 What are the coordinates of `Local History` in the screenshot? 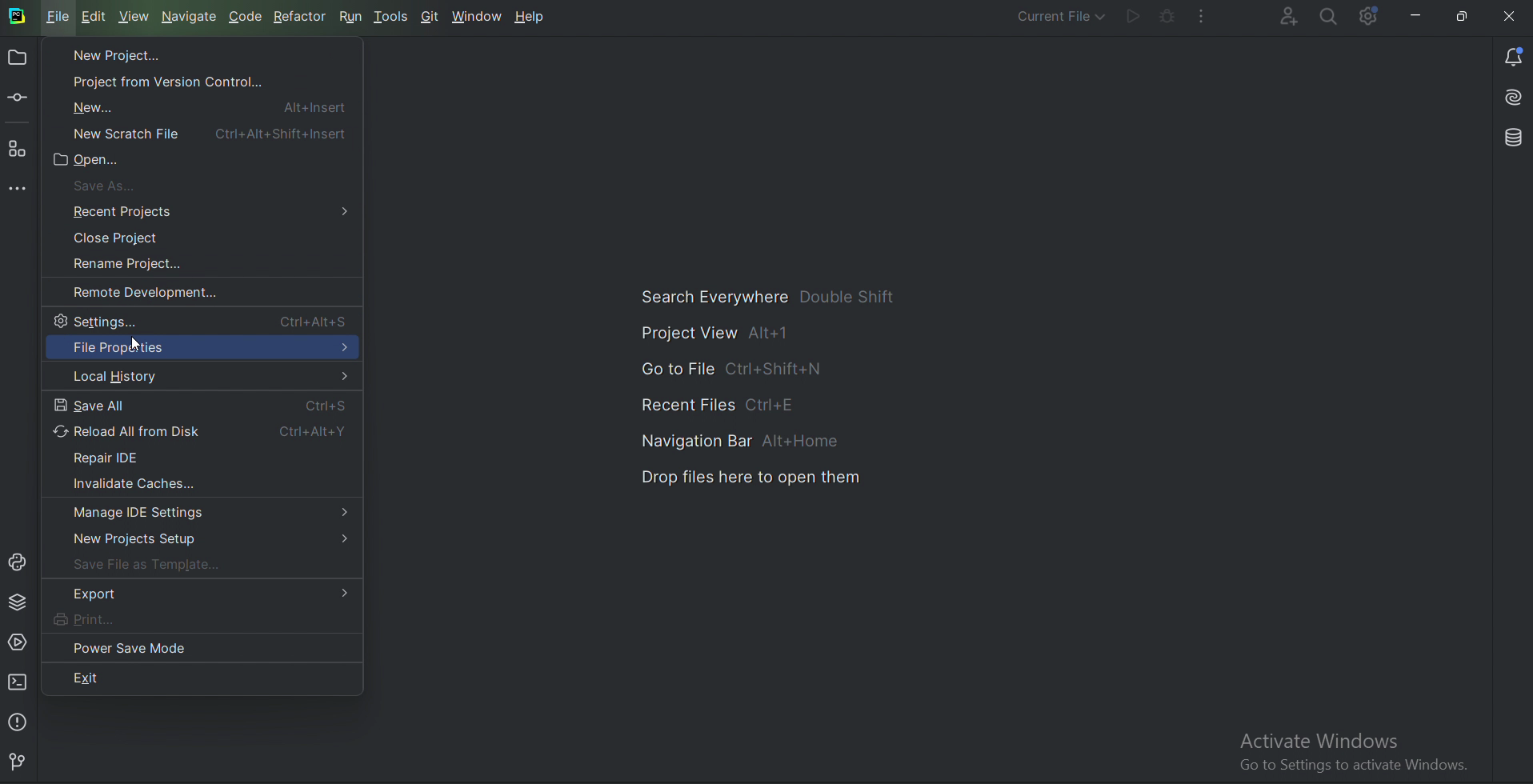 It's located at (201, 378).